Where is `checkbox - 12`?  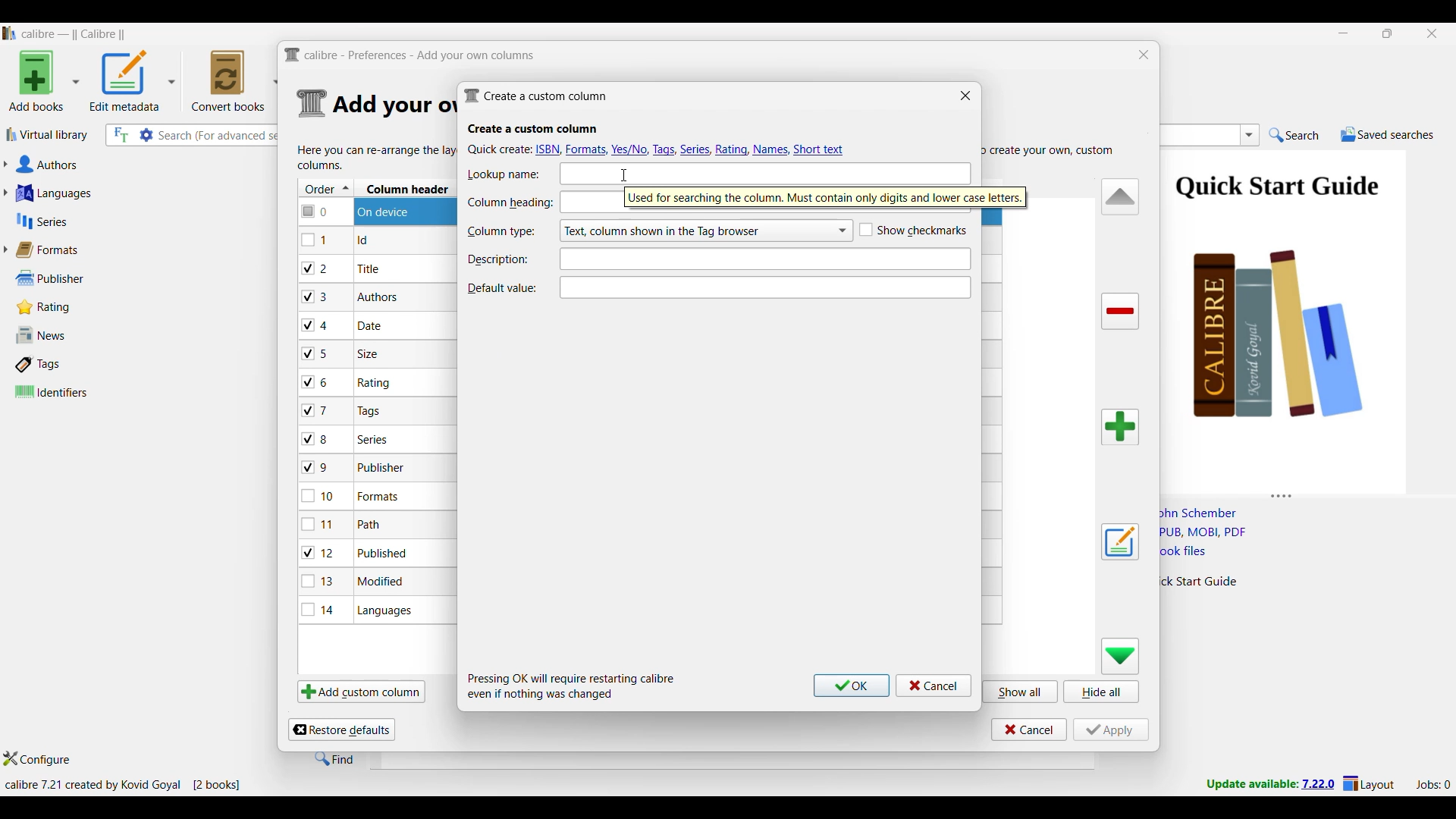 checkbox - 12 is located at coordinates (320, 552).